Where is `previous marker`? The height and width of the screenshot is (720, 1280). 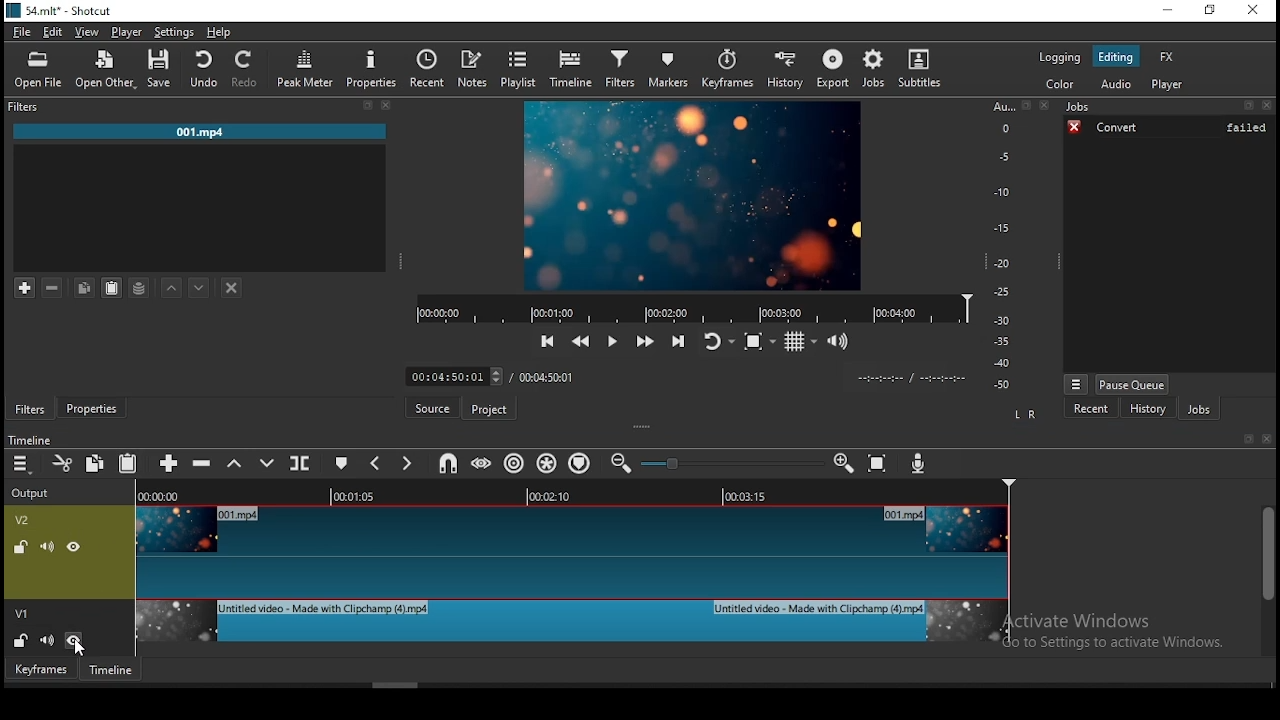 previous marker is located at coordinates (374, 464).